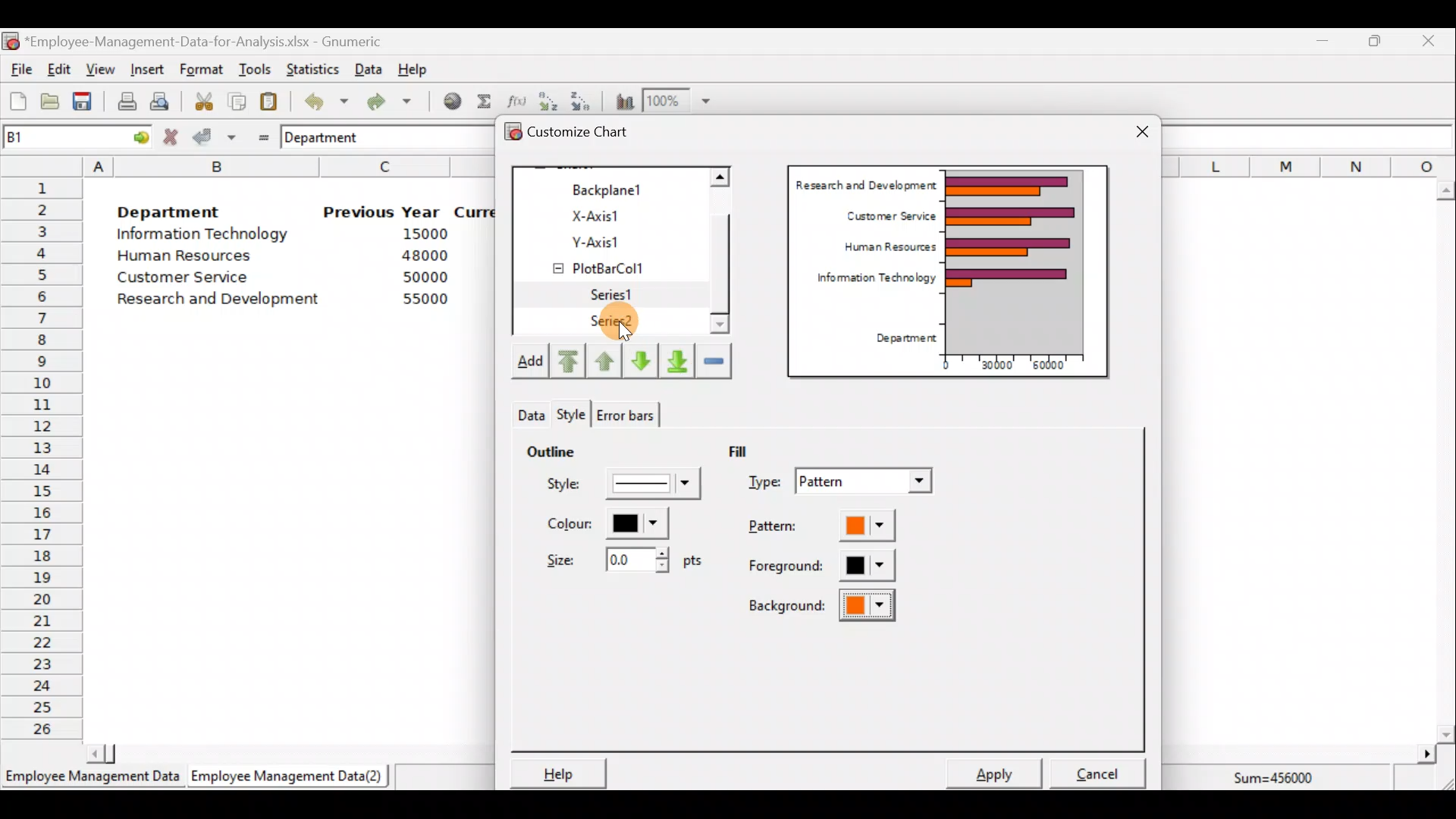  I want to click on Foreground, so click(823, 566).